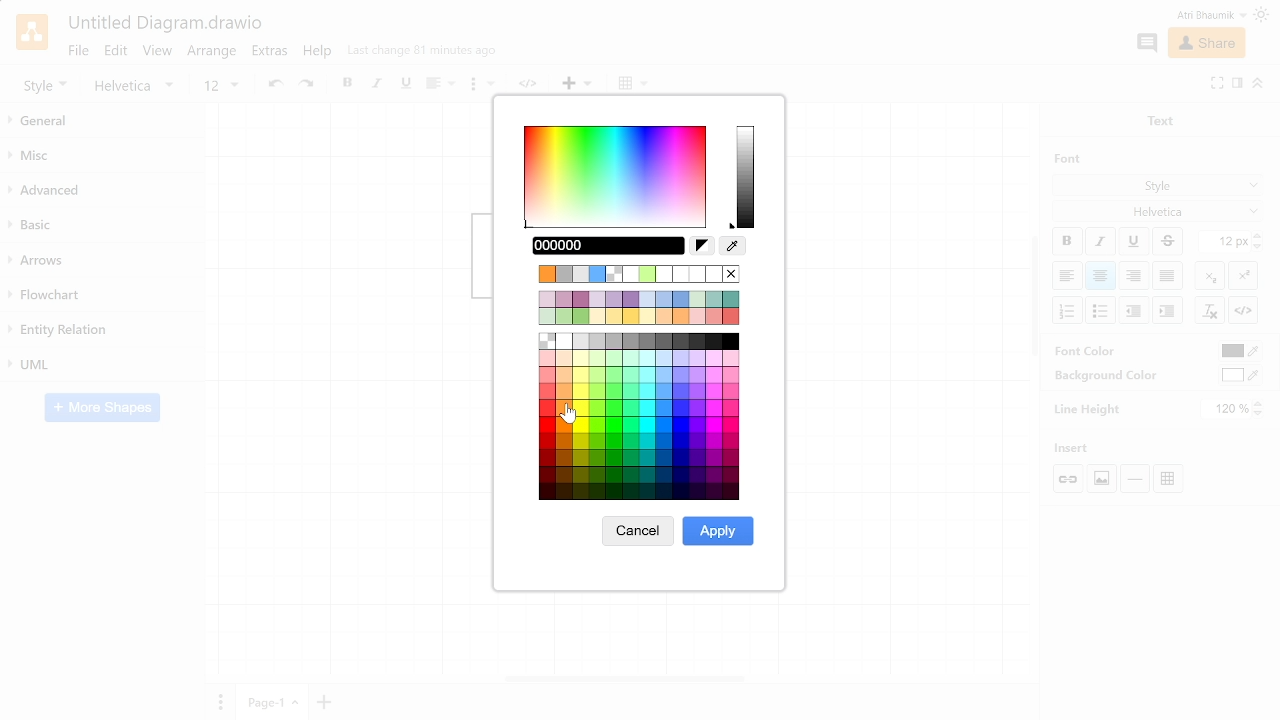  Describe the element at coordinates (1243, 310) in the screenshot. I see `HTML` at that location.